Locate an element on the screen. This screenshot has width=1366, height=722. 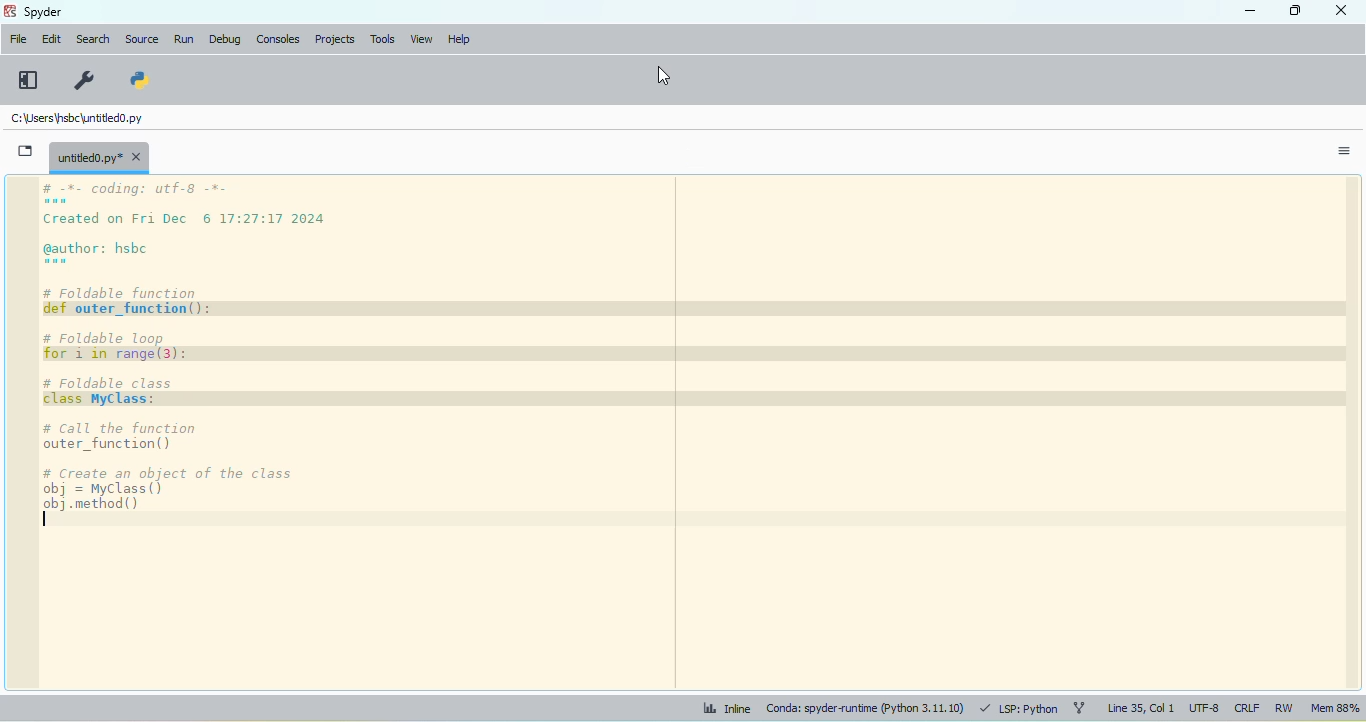
git branch is located at coordinates (1079, 707).